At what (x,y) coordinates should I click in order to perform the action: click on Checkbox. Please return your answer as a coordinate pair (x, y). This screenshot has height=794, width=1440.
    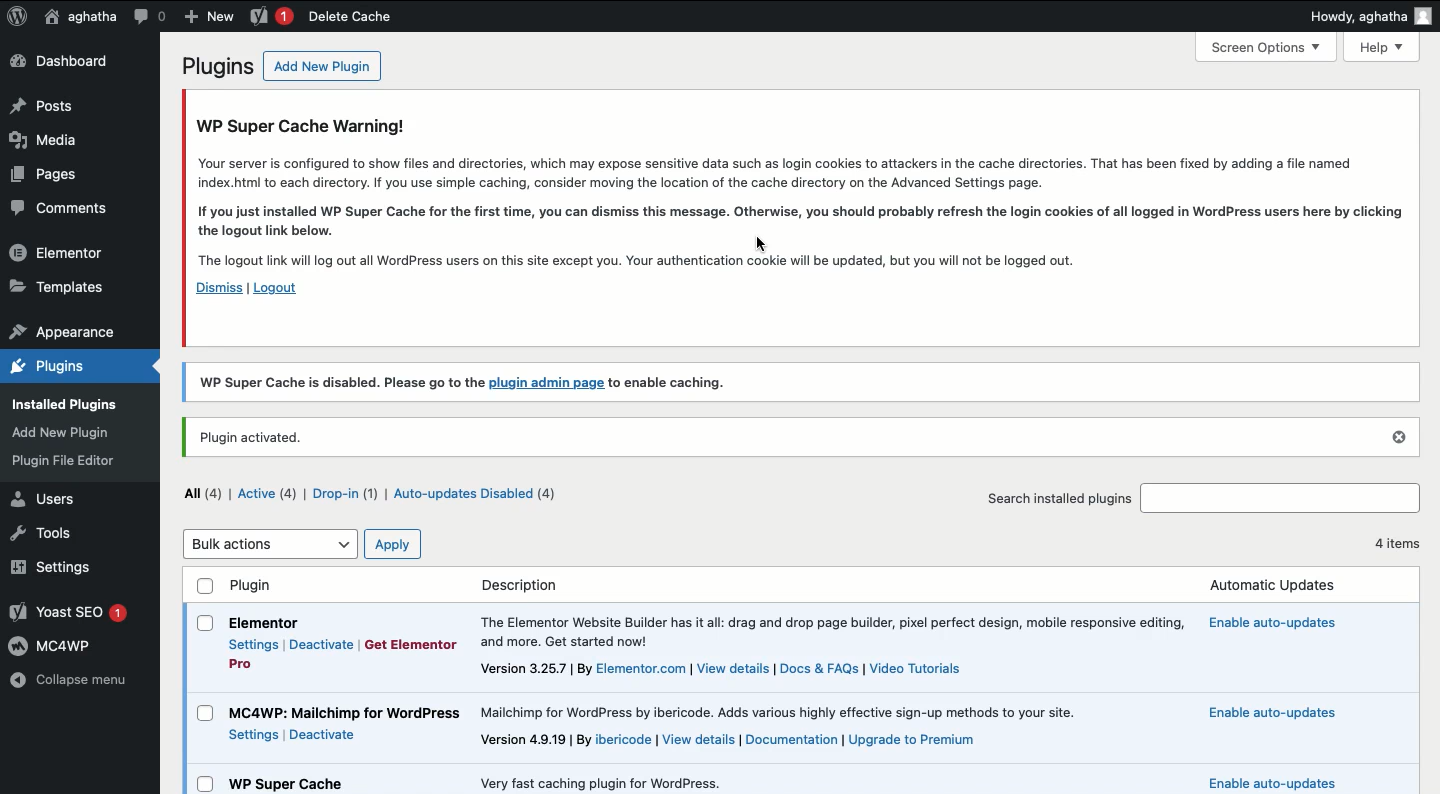
    Looking at the image, I should click on (205, 783).